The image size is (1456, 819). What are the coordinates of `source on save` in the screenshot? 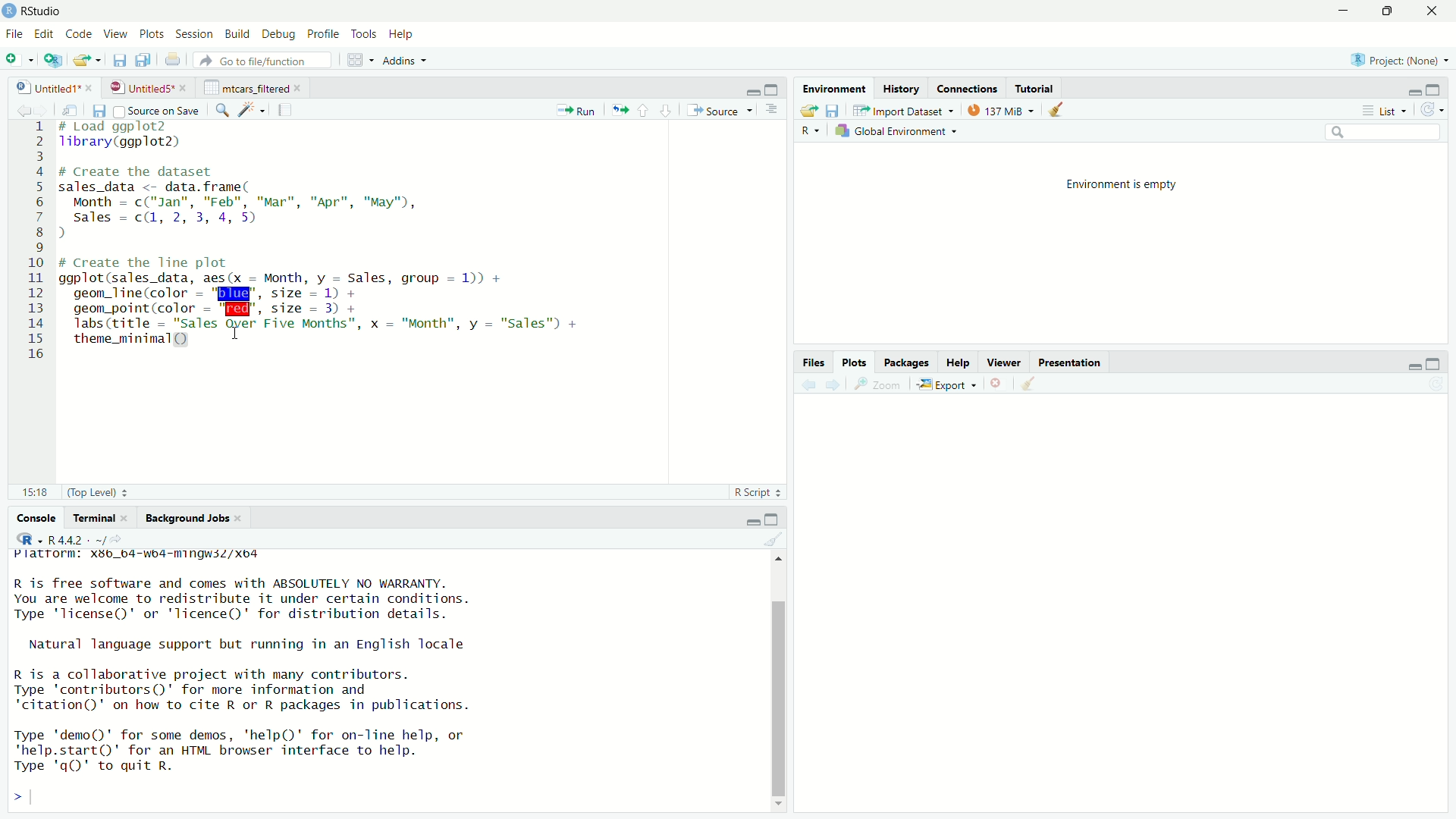 It's located at (158, 111).